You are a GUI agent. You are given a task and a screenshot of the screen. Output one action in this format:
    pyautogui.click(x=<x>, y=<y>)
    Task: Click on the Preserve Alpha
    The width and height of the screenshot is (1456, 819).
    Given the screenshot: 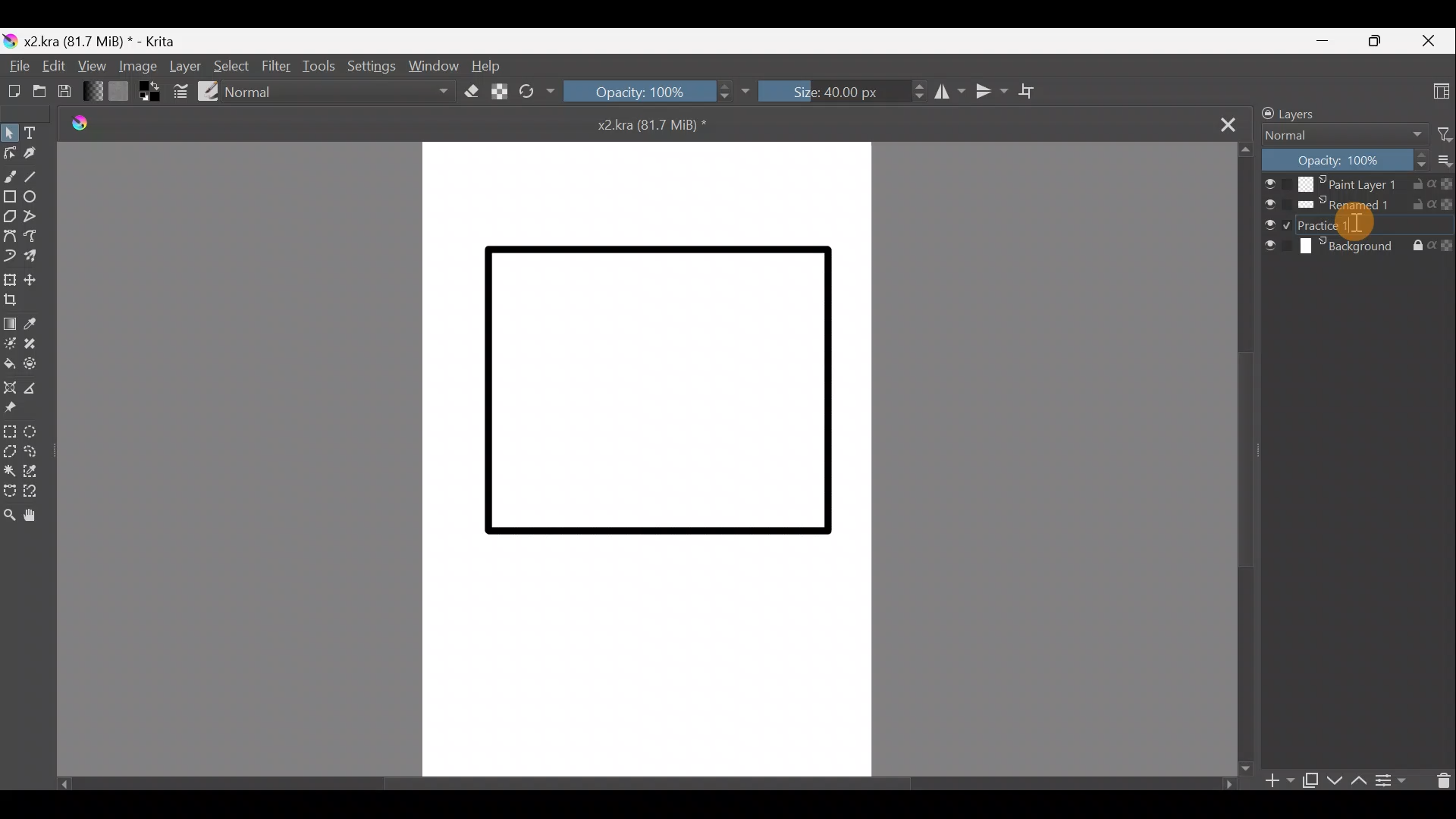 What is the action you would take?
    pyautogui.click(x=497, y=90)
    